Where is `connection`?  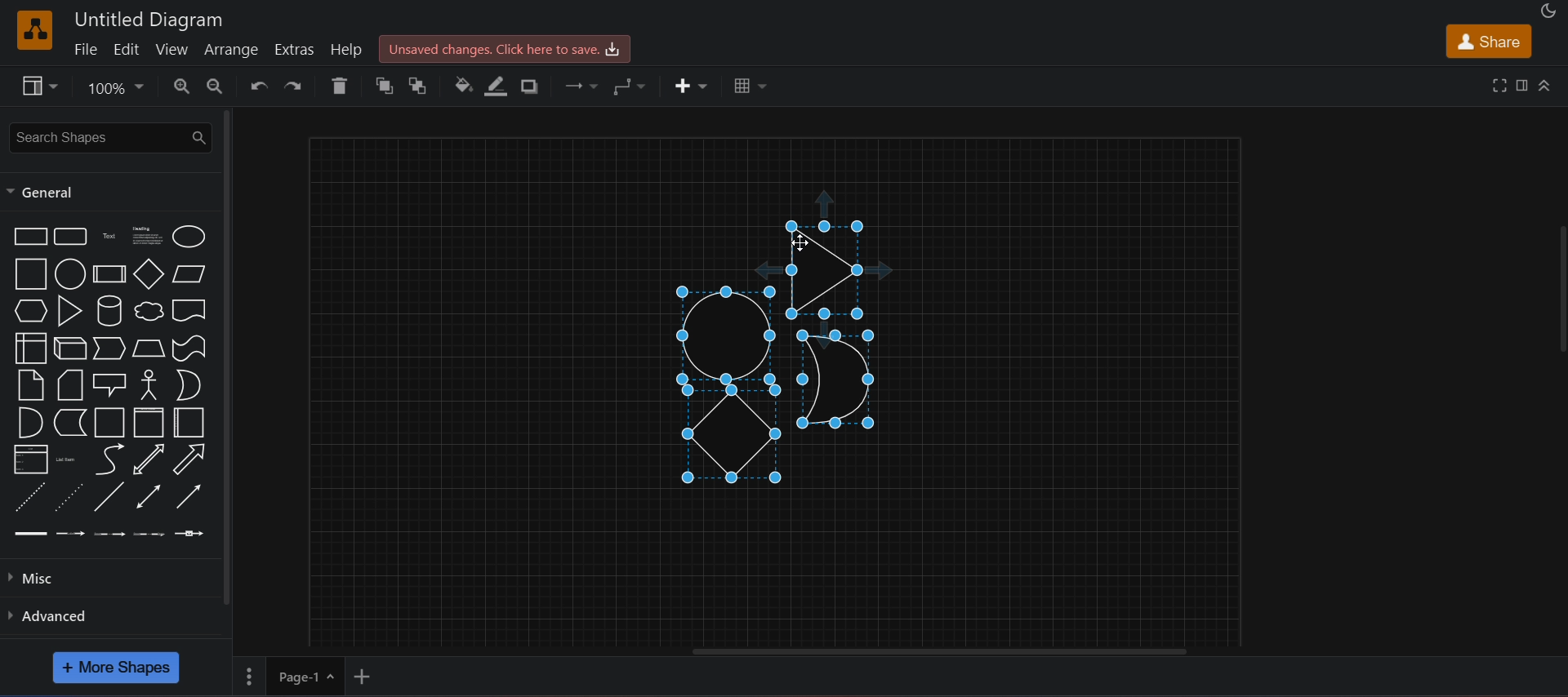
connection is located at coordinates (584, 87).